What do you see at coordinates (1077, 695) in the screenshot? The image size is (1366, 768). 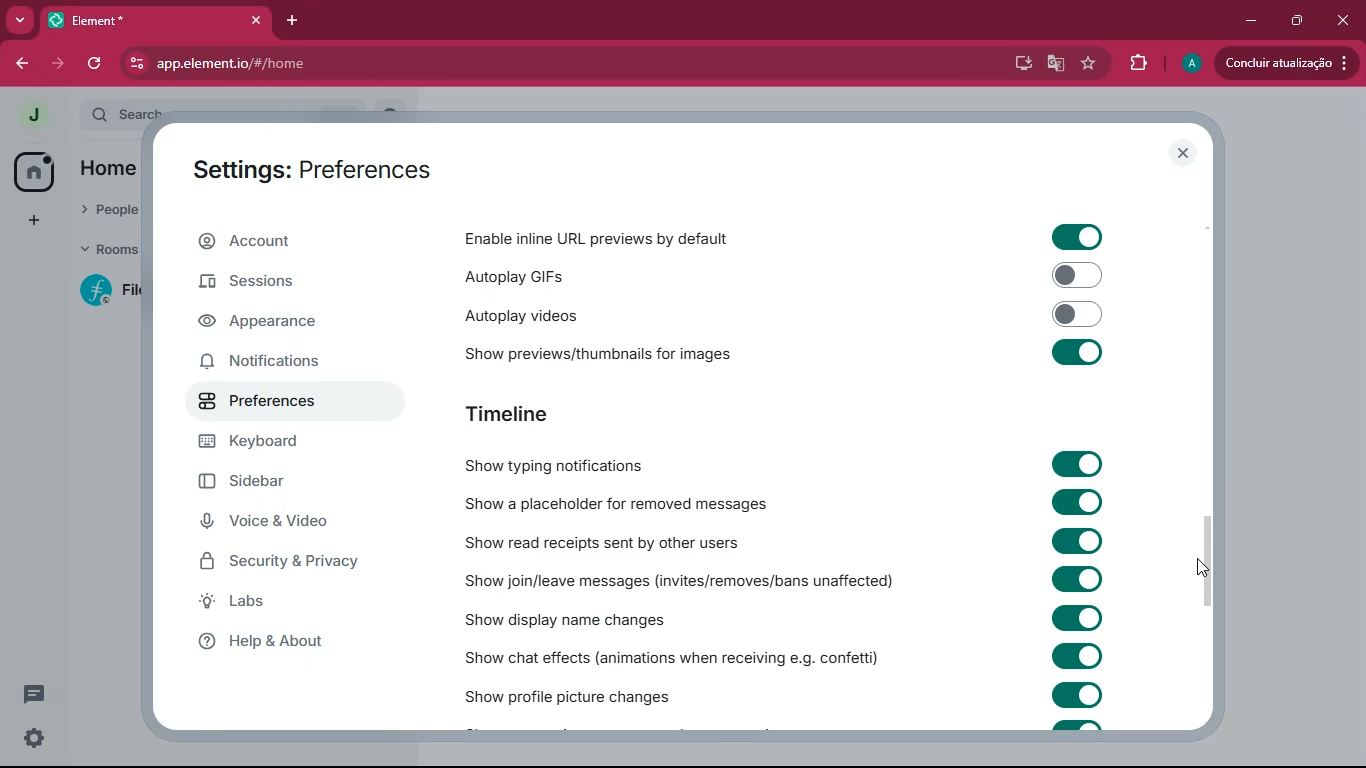 I see `toggle on/off` at bounding box center [1077, 695].